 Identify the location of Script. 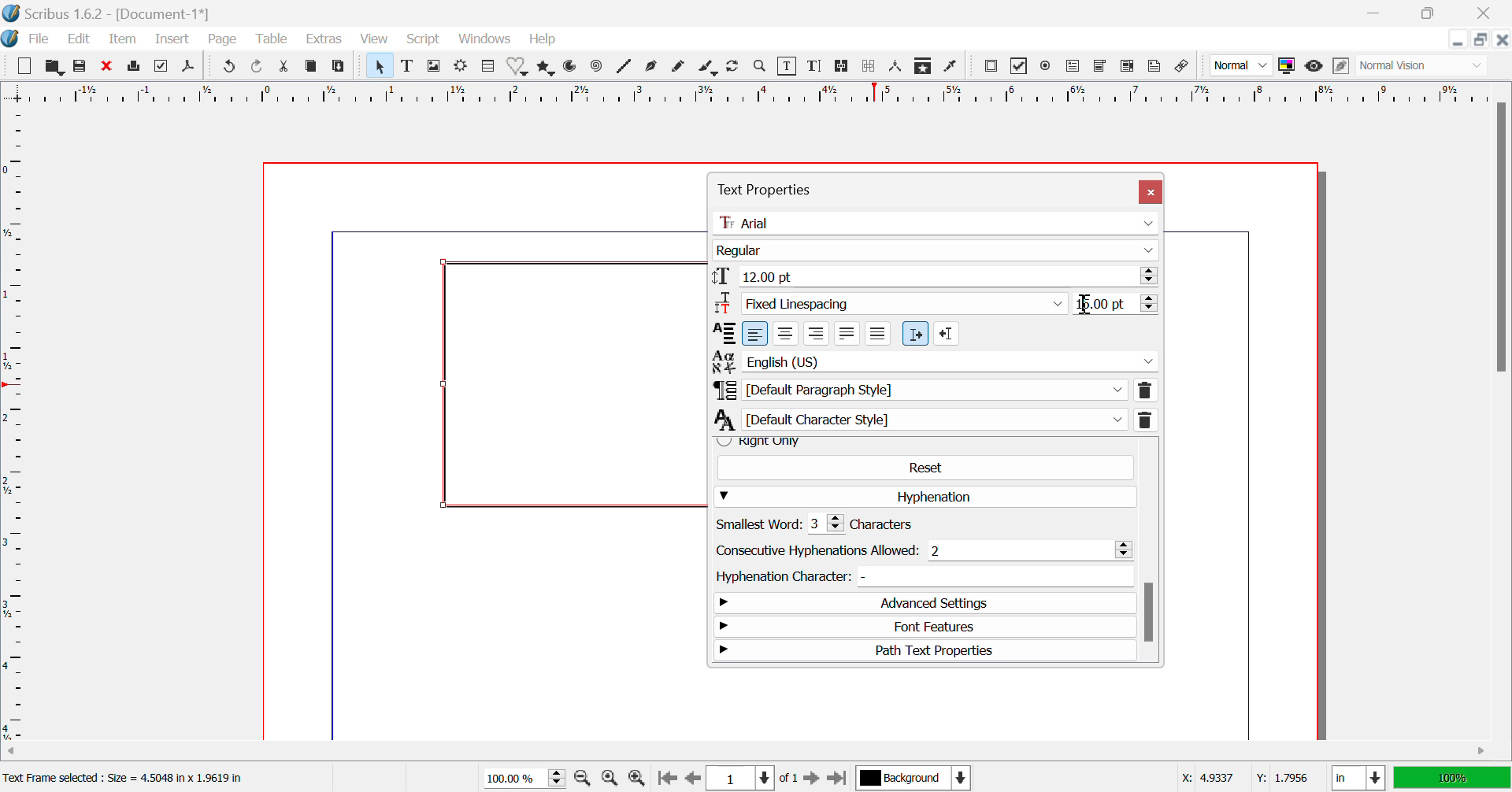
(422, 40).